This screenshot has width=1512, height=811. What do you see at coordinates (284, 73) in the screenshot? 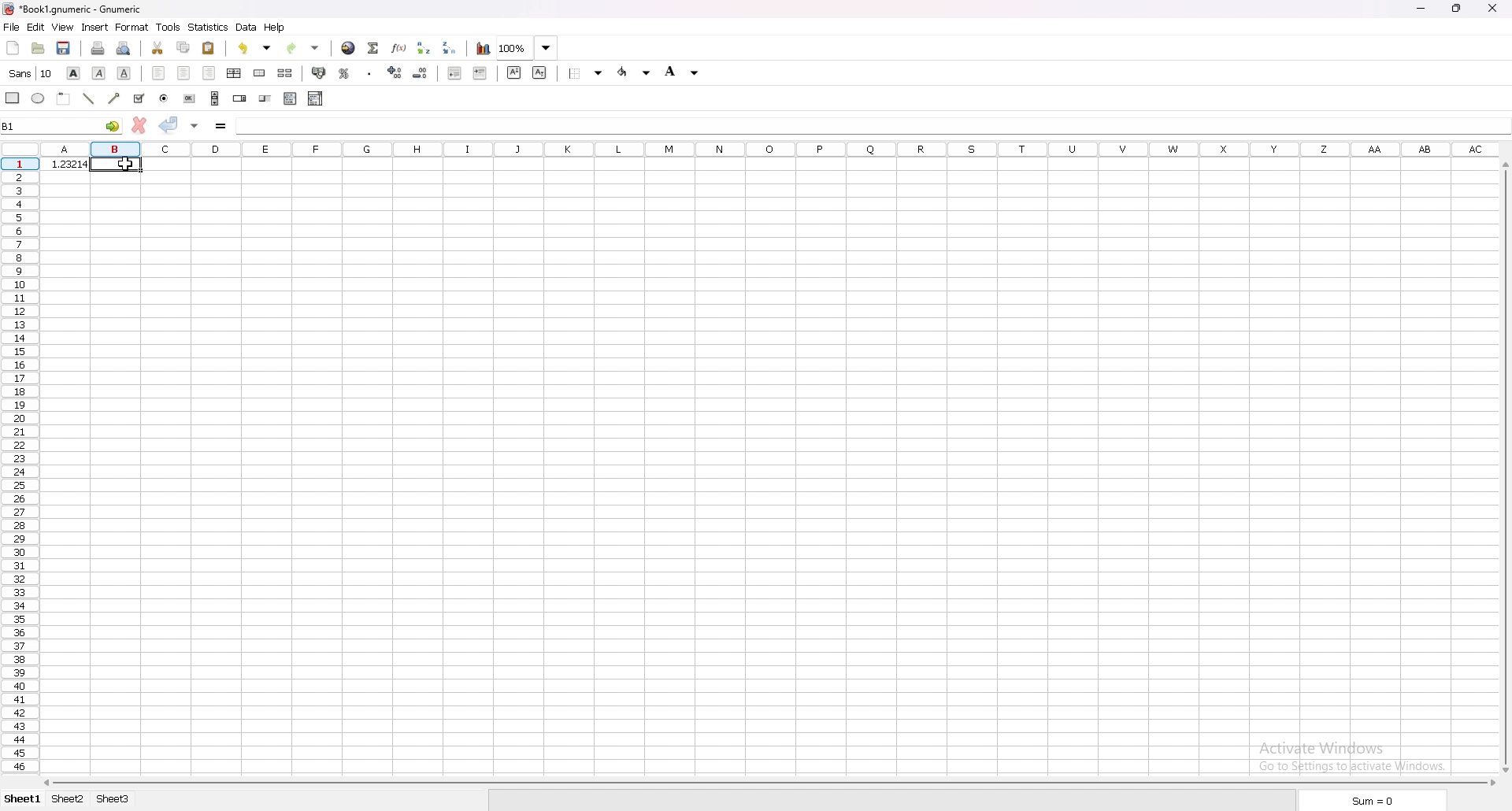
I see `split merged cells` at bounding box center [284, 73].